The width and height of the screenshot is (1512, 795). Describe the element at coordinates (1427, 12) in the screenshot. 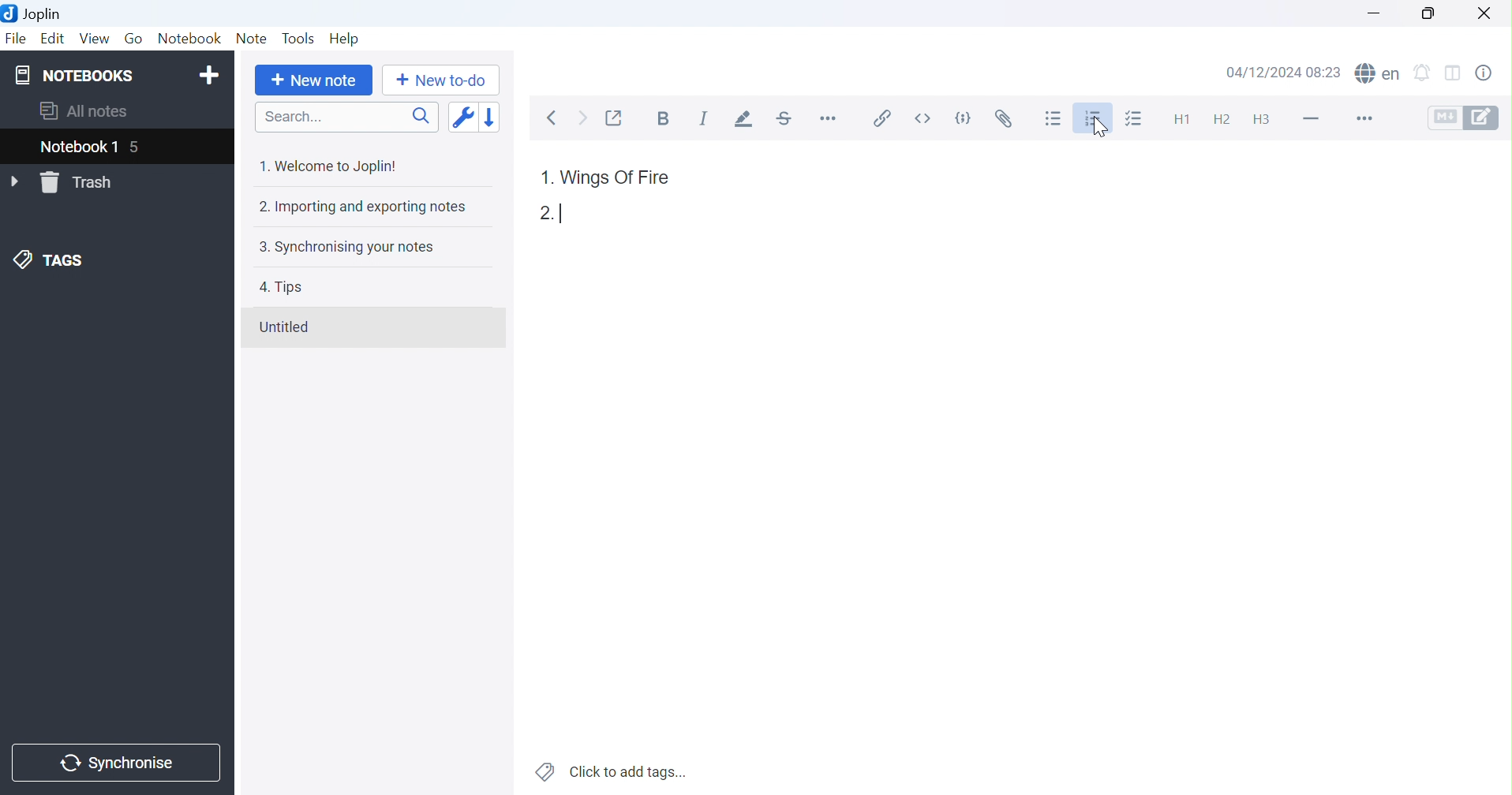

I see `Restore Down` at that location.